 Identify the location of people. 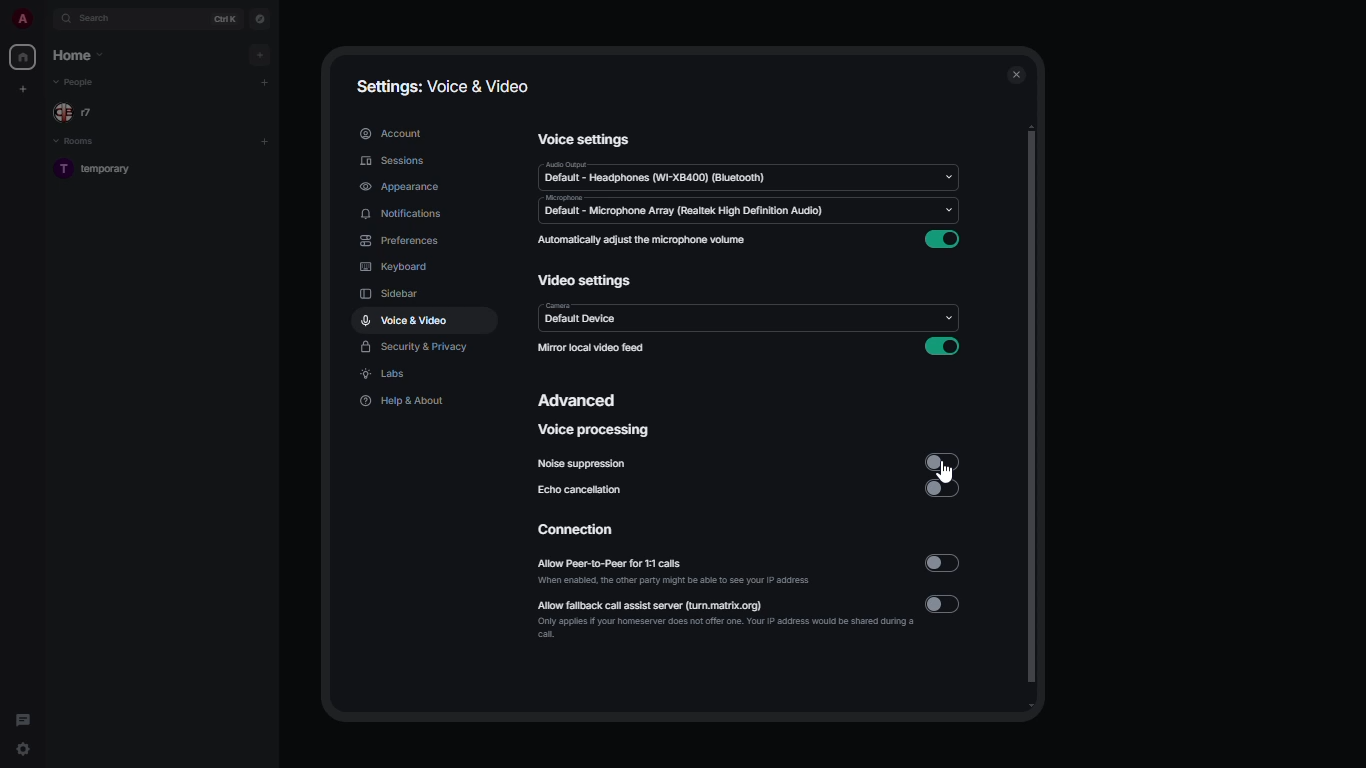
(78, 82).